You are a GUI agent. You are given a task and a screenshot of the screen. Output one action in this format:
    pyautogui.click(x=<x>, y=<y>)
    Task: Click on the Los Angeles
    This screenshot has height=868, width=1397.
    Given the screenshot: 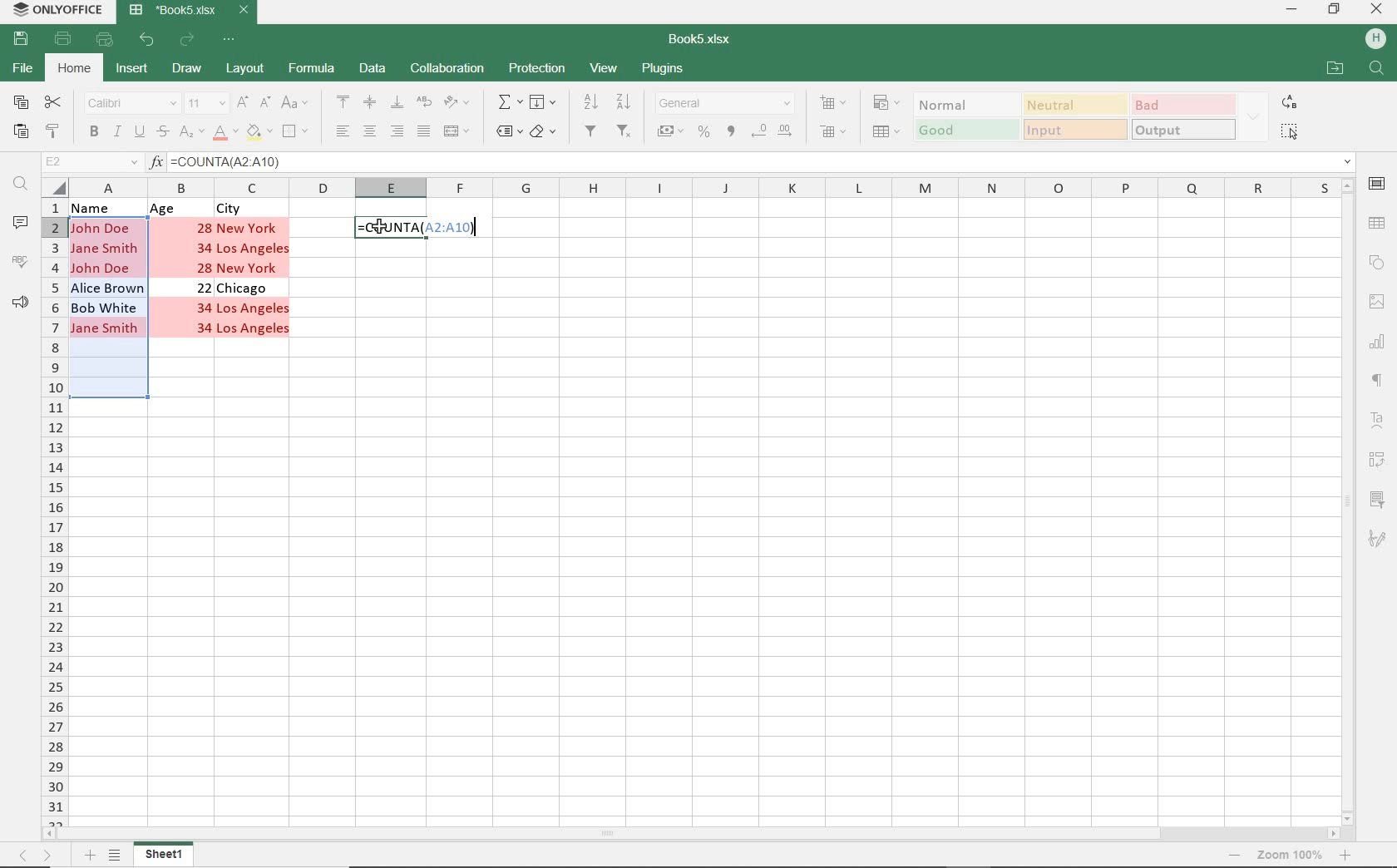 What is the action you would take?
    pyautogui.click(x=254, y=309)
    